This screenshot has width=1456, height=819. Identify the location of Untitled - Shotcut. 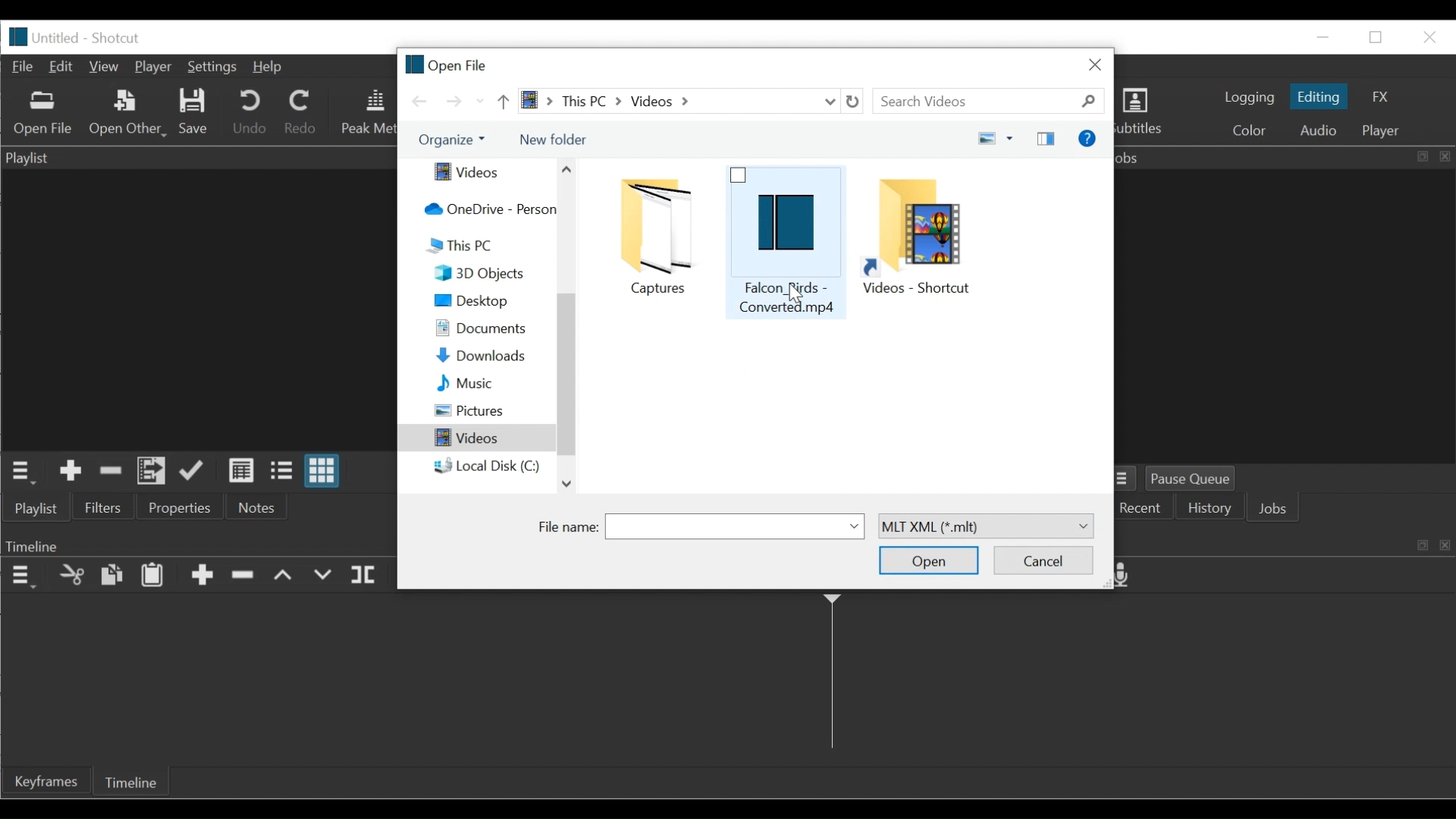
(92, 38).